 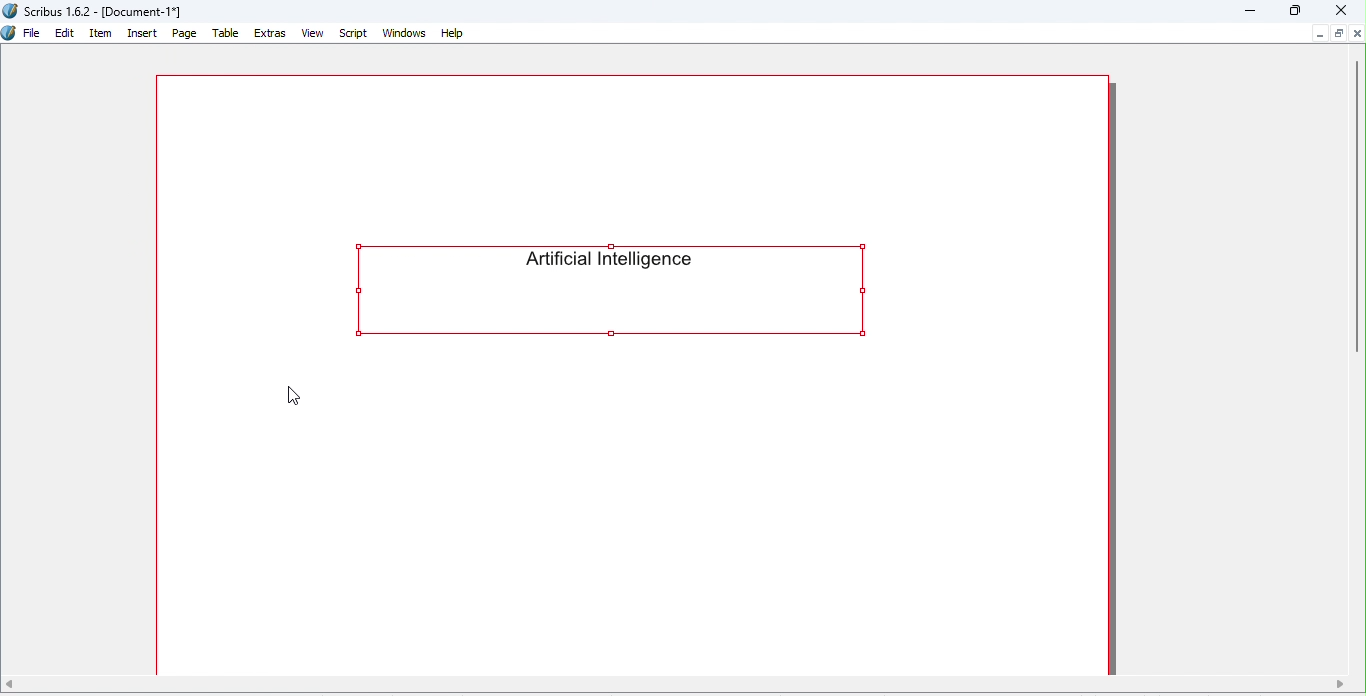 What do you see at coordinates (1358, 207) in the screenshot?
I see `Vertical scroll bar` at bounding box center [1358, 207].